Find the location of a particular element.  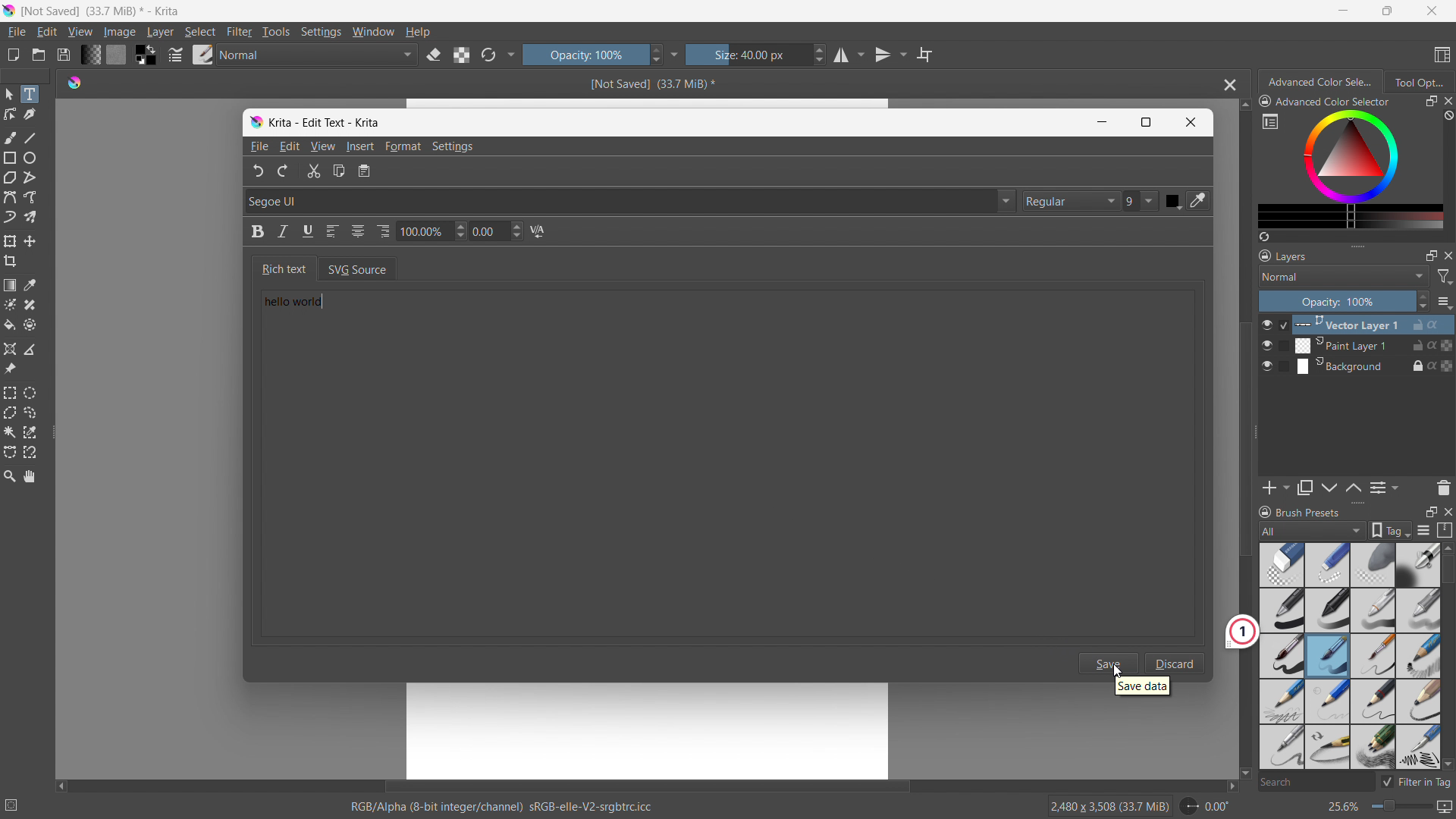

horizontal scrollbar is located at coordinates (646, 784).